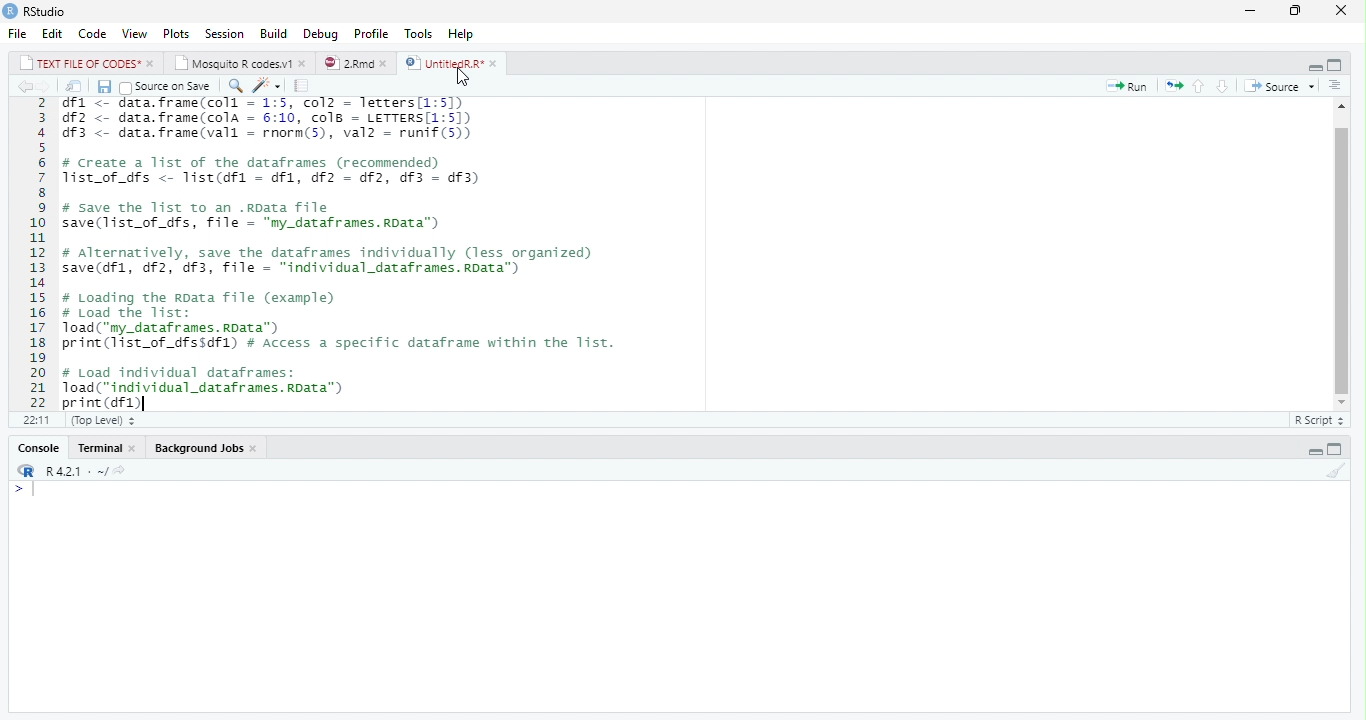 The image size is (1366, 720). I want to click on vertical scroll bar, so click(1336, 256).